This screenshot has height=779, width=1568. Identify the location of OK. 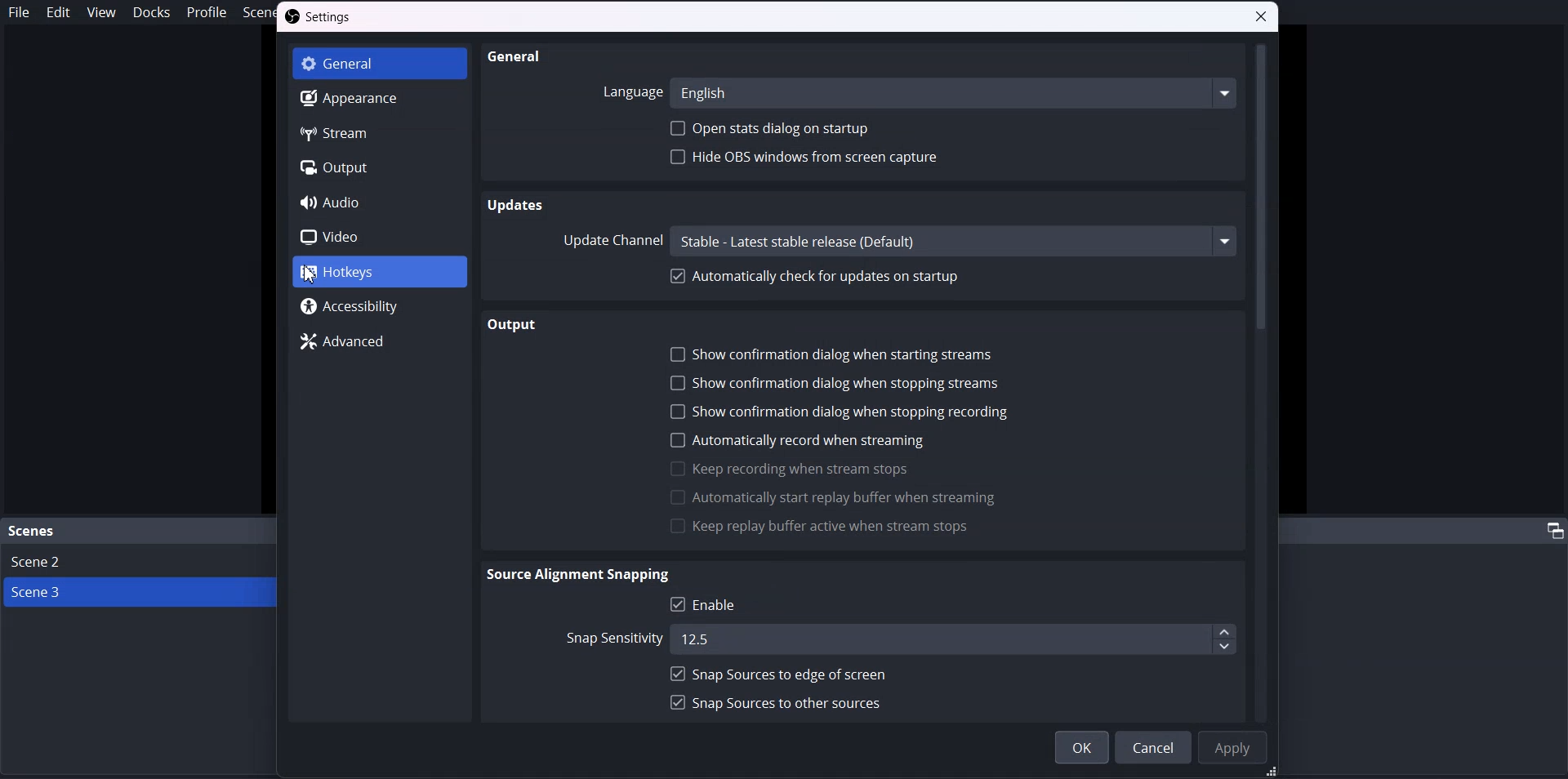
(1082, 747).